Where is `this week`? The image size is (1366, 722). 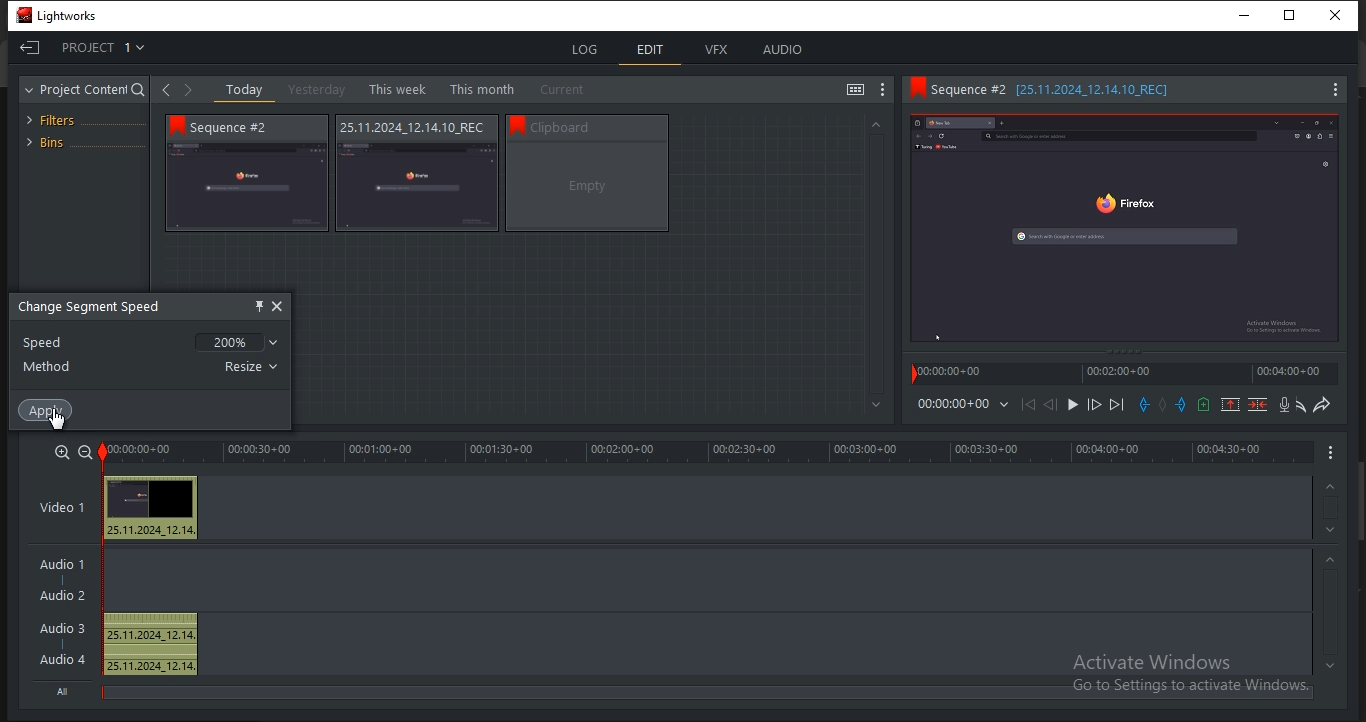
this week is located at coordinates (396, 88).